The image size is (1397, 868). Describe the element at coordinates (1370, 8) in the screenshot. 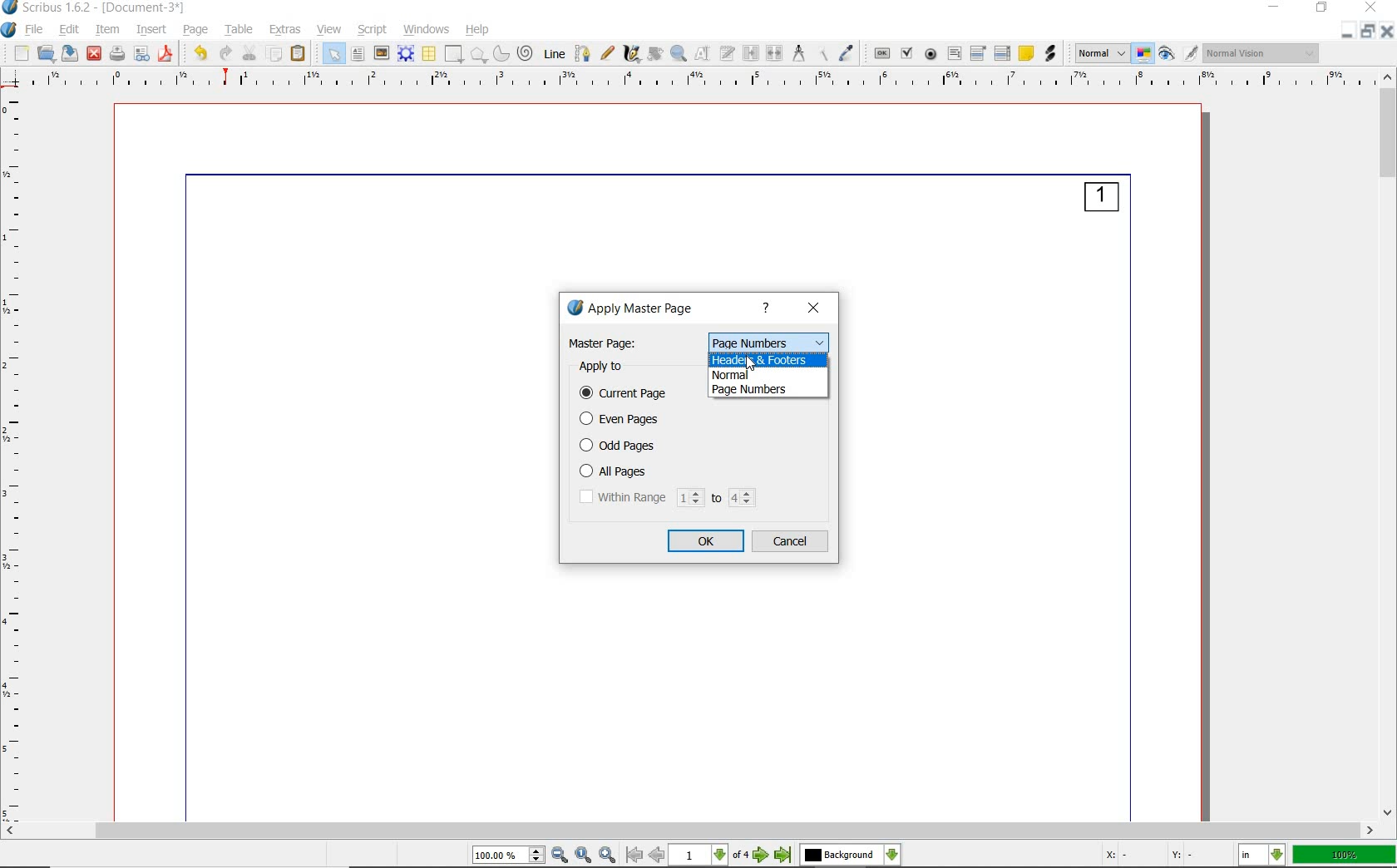

I see `close` at that location.